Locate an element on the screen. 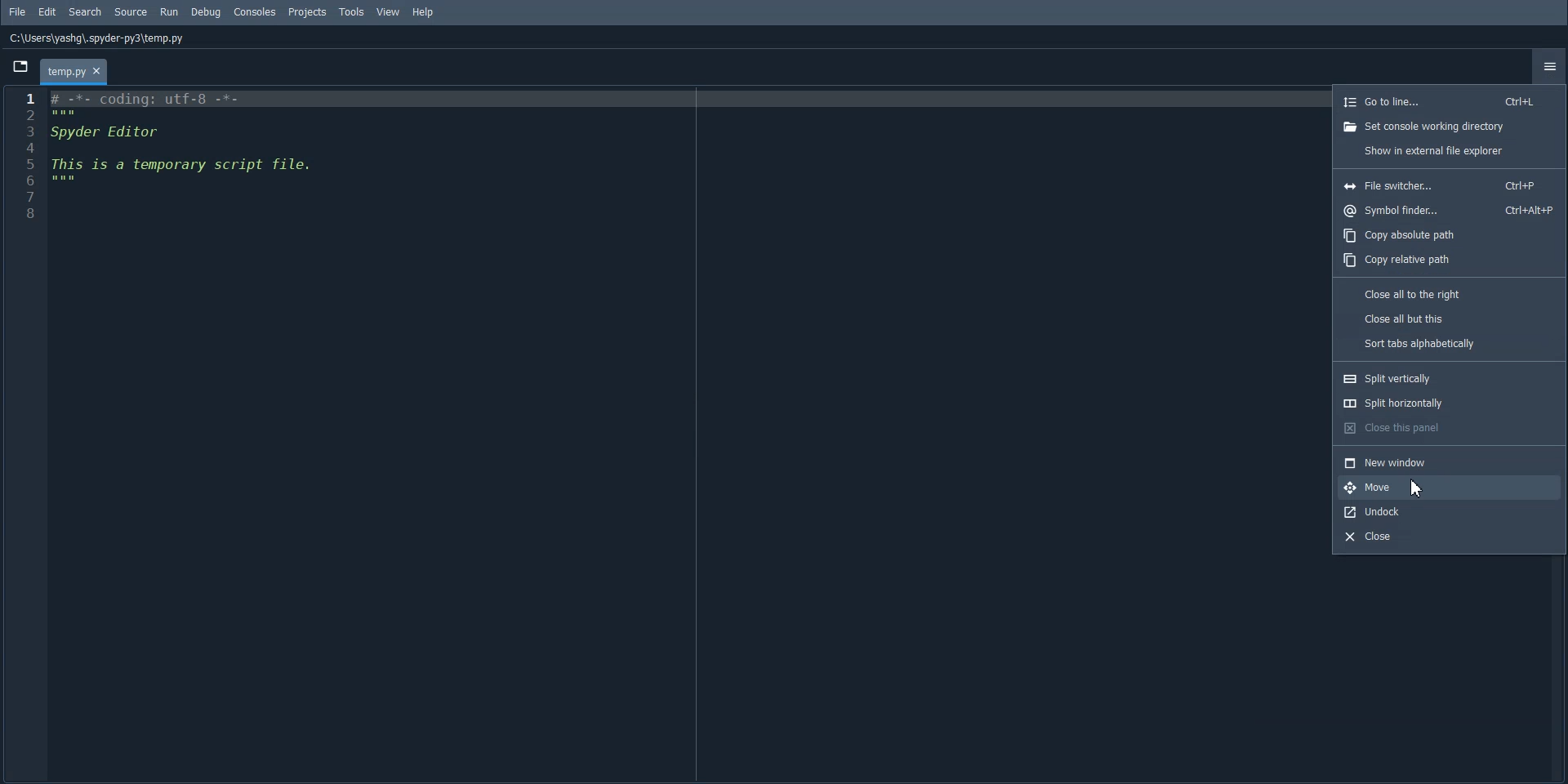  Close all but this is located at coordinates (1450, 317).